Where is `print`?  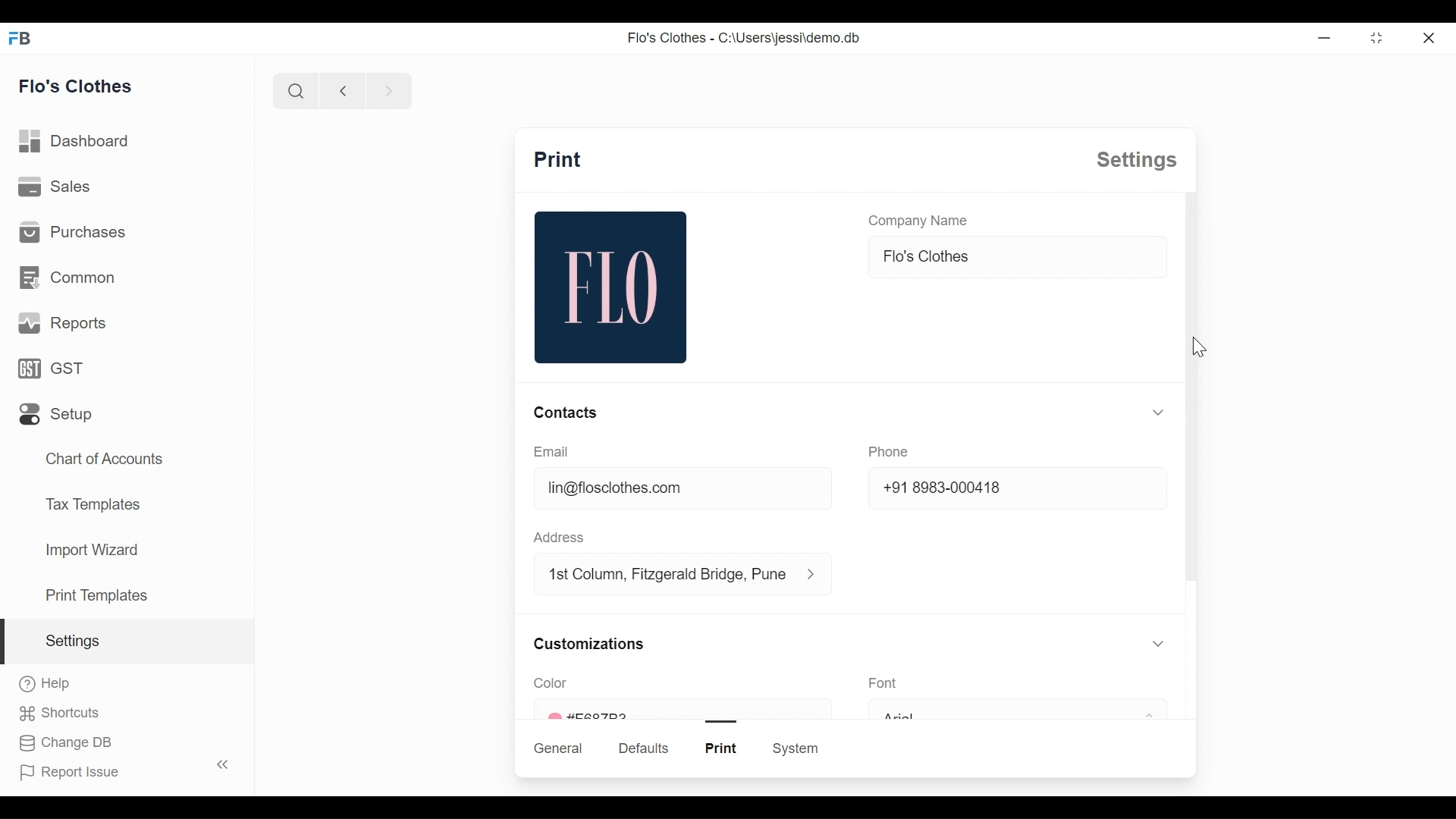
print is located at coordinates (722, 748).